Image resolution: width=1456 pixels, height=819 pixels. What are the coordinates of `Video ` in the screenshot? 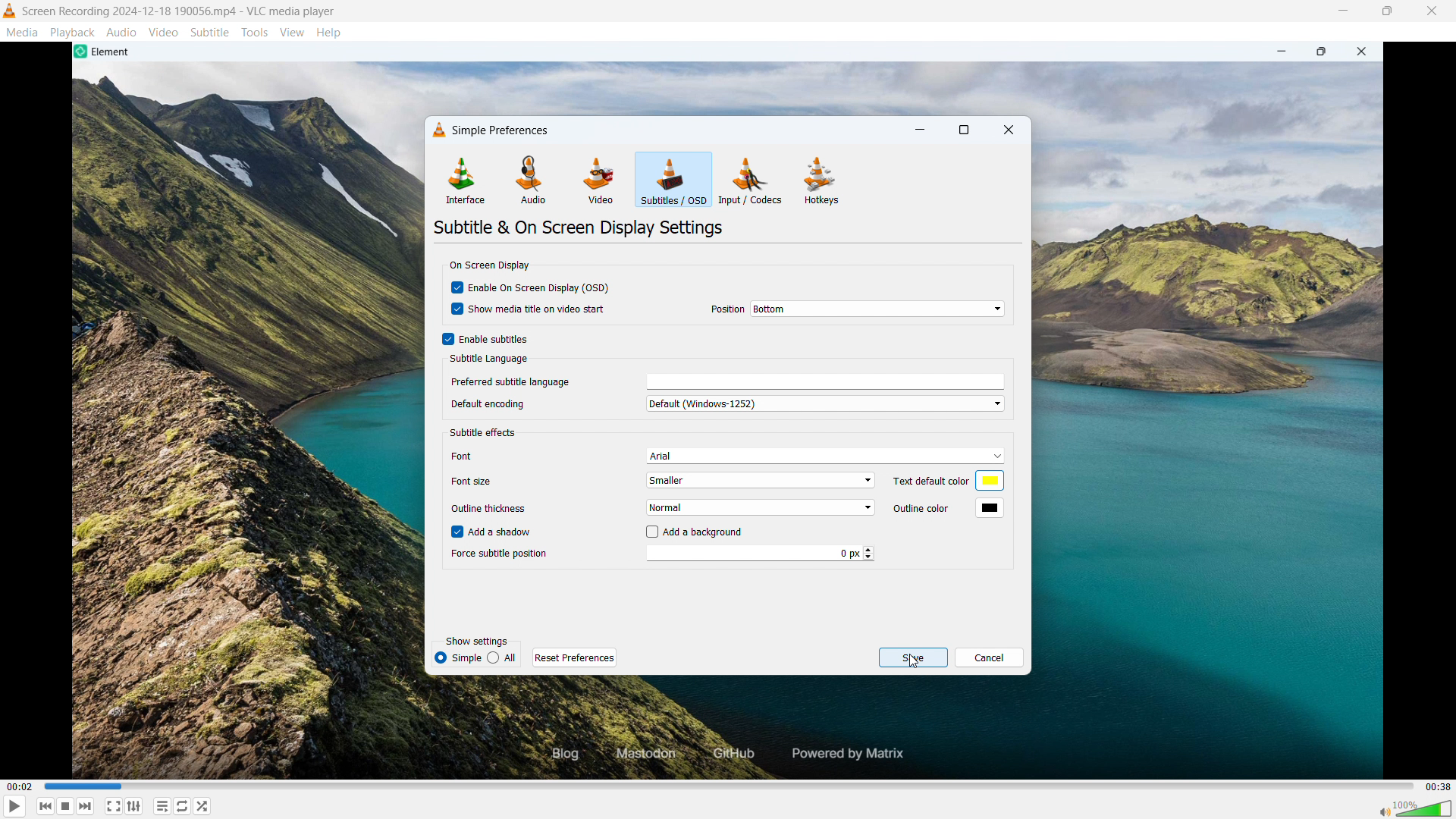 It's located at (599, 180).